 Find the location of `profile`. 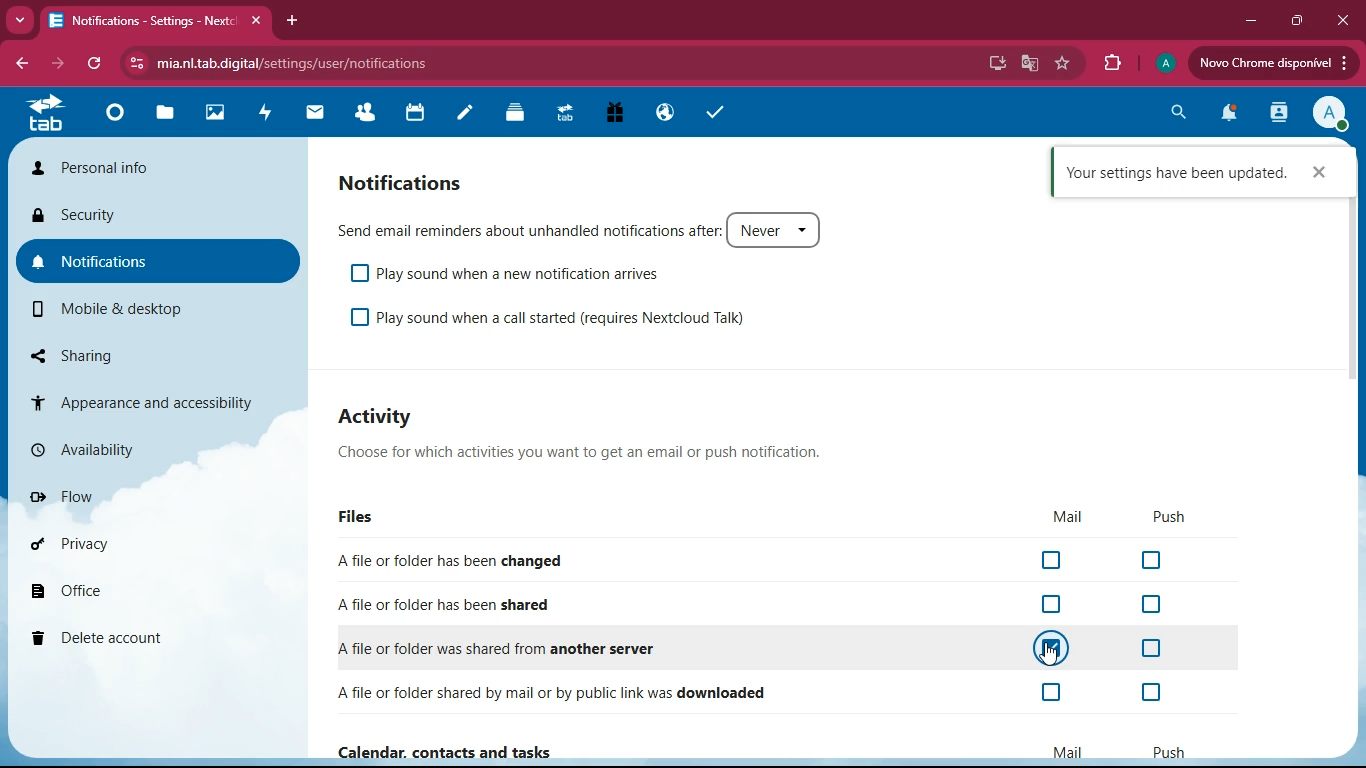

profile is located at coordinates (1331, 114).